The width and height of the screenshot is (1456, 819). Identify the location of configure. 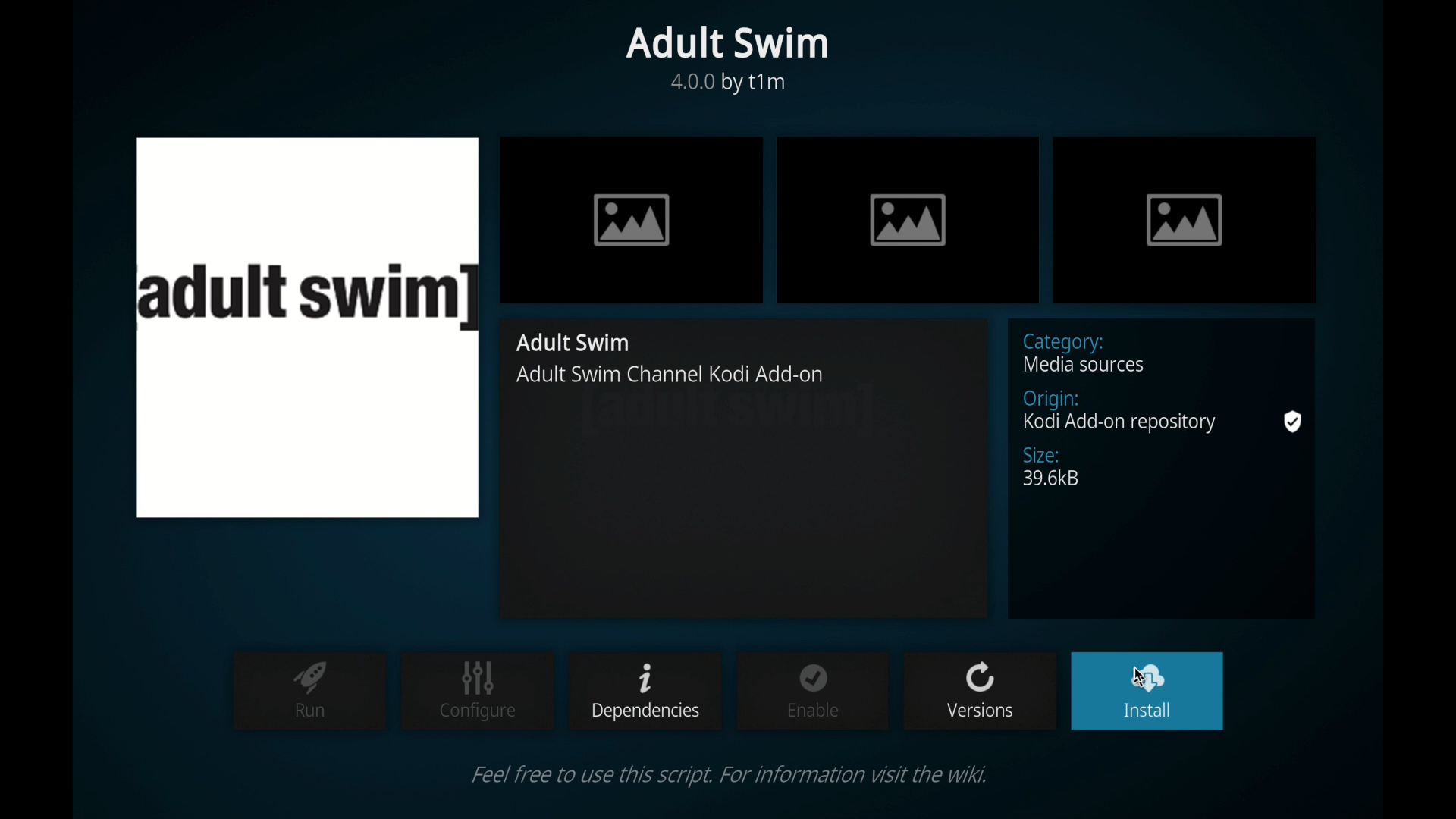
(478, 691).